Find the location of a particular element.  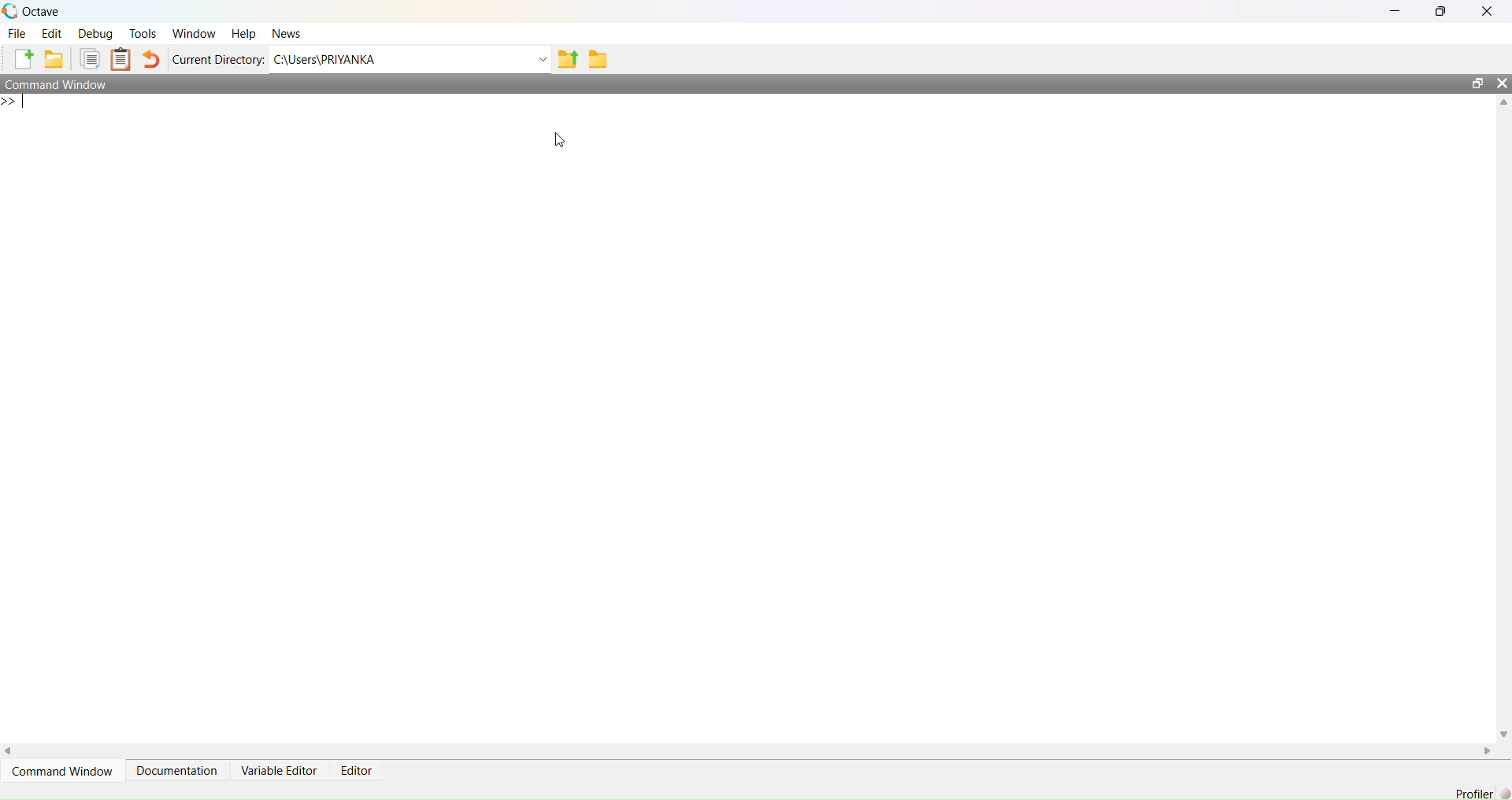

Copy is located at coordinates (88, 59).